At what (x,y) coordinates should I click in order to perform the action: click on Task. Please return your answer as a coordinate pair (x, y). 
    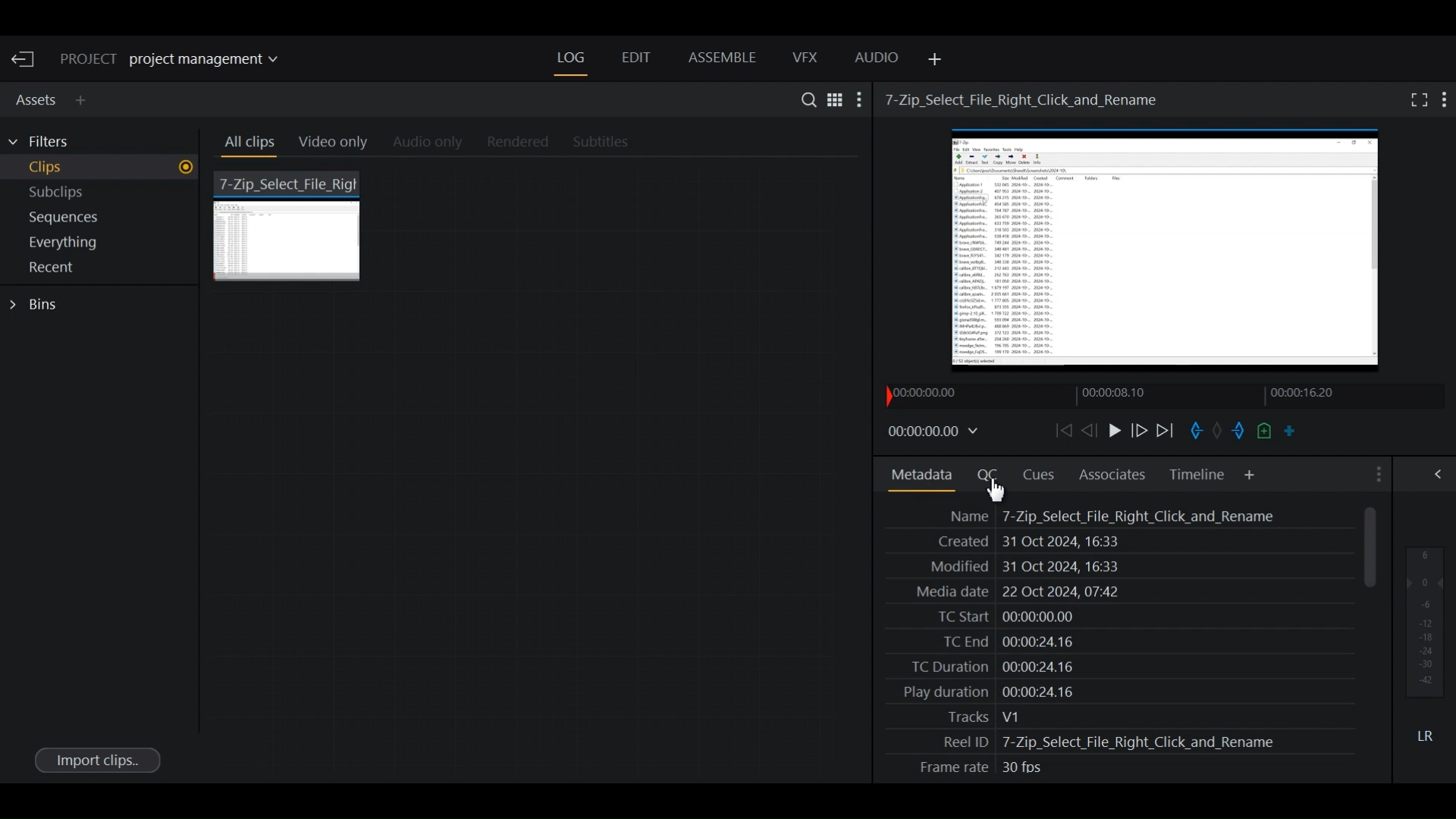
    Looking at the image, I should click on (1218, 428).